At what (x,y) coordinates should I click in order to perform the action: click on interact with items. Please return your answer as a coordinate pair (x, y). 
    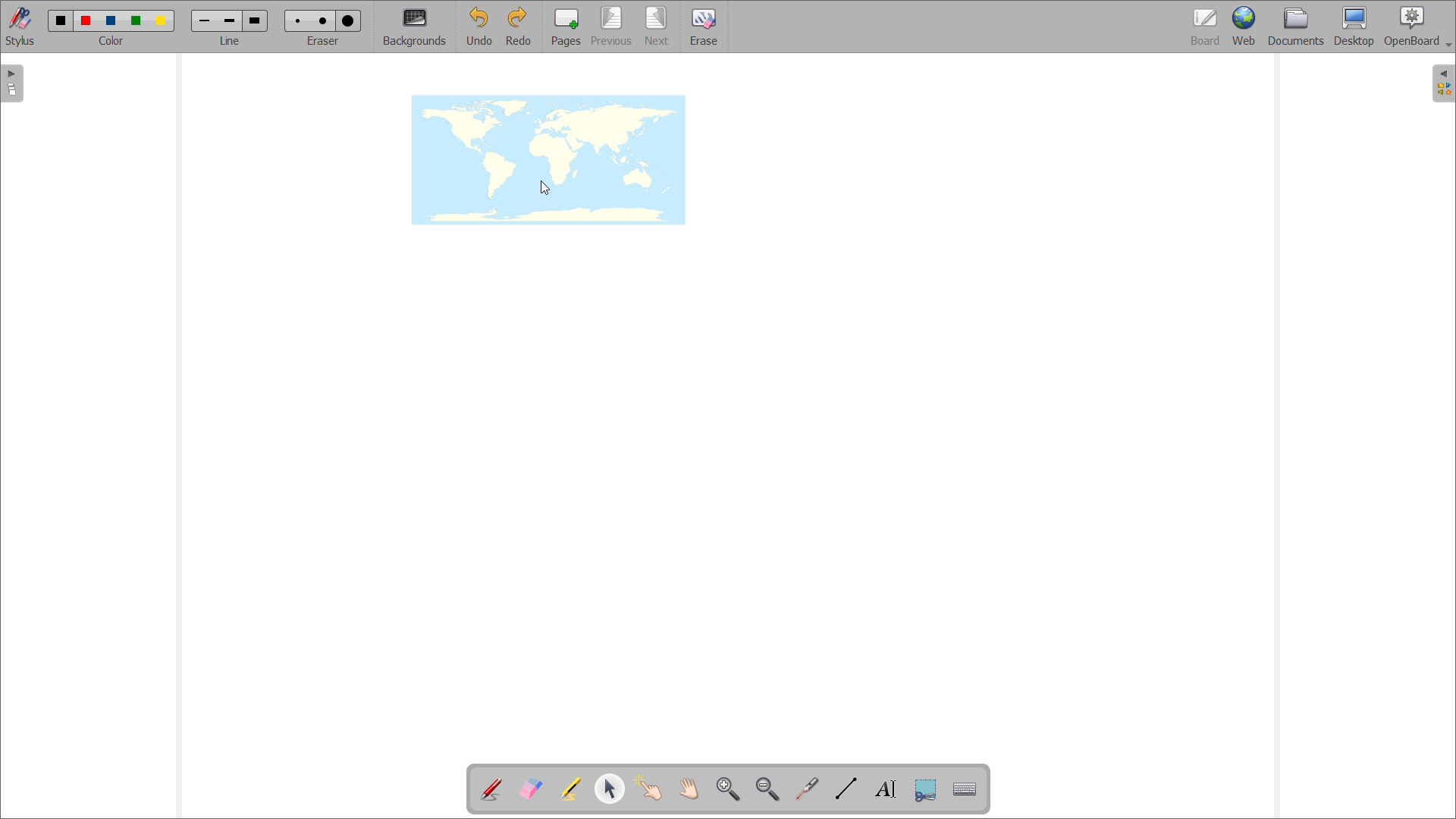
    Looking at the image, I should click on (649, 789).